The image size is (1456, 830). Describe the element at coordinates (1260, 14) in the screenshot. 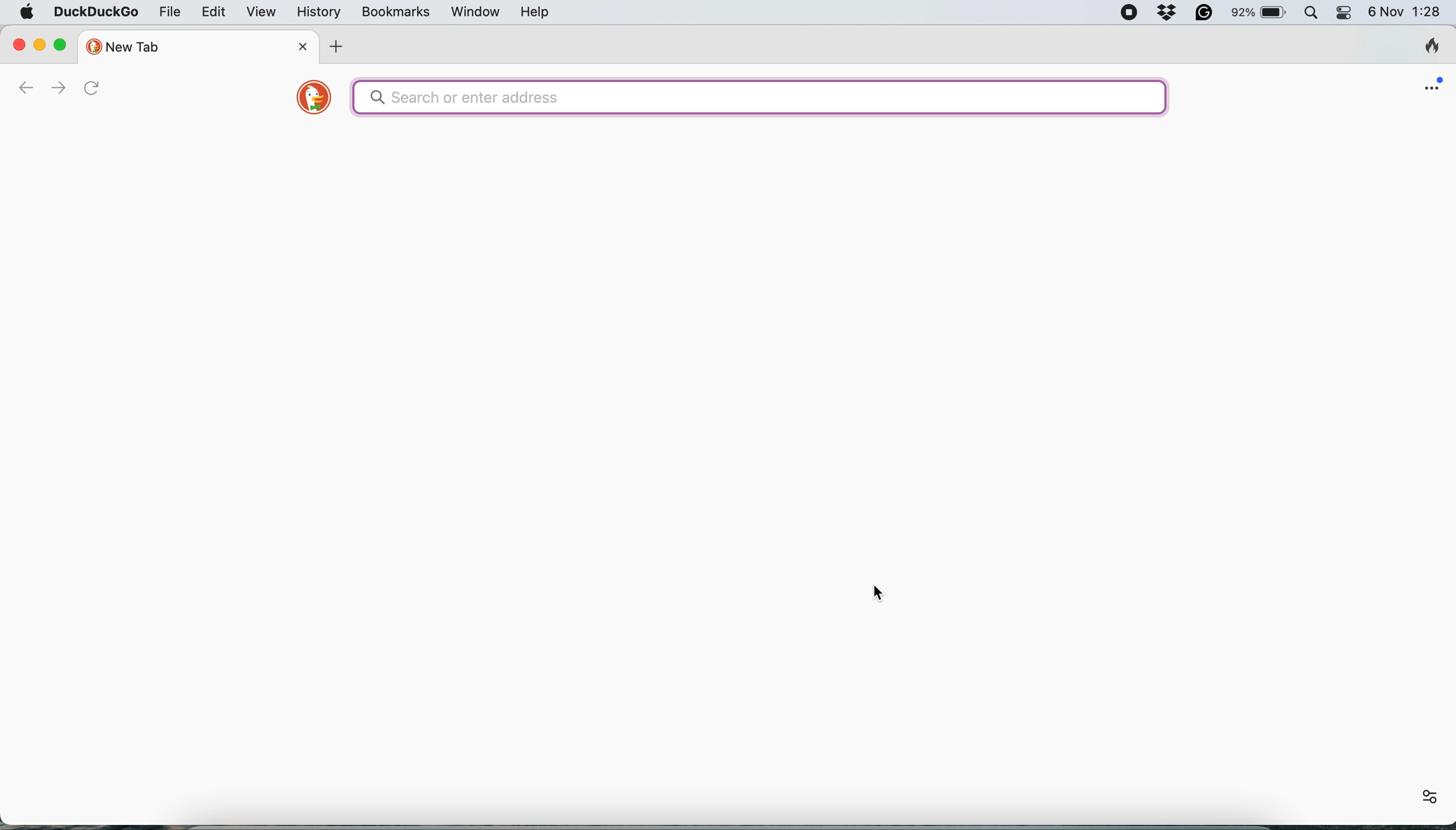

I see `battery` at that location.